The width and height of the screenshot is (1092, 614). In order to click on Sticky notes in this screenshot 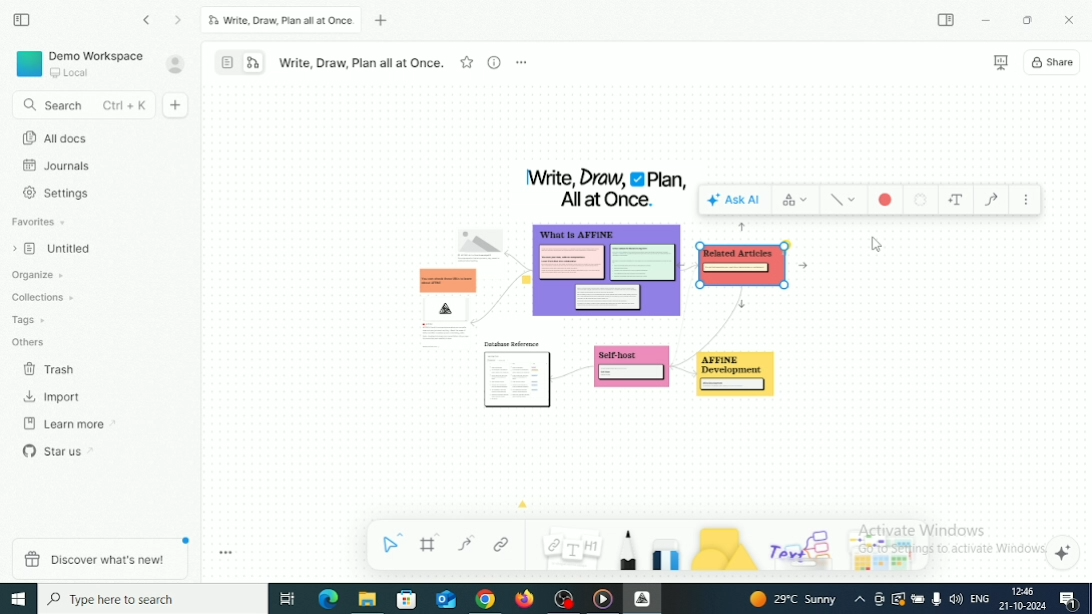, I will do `click(632, 371)`.